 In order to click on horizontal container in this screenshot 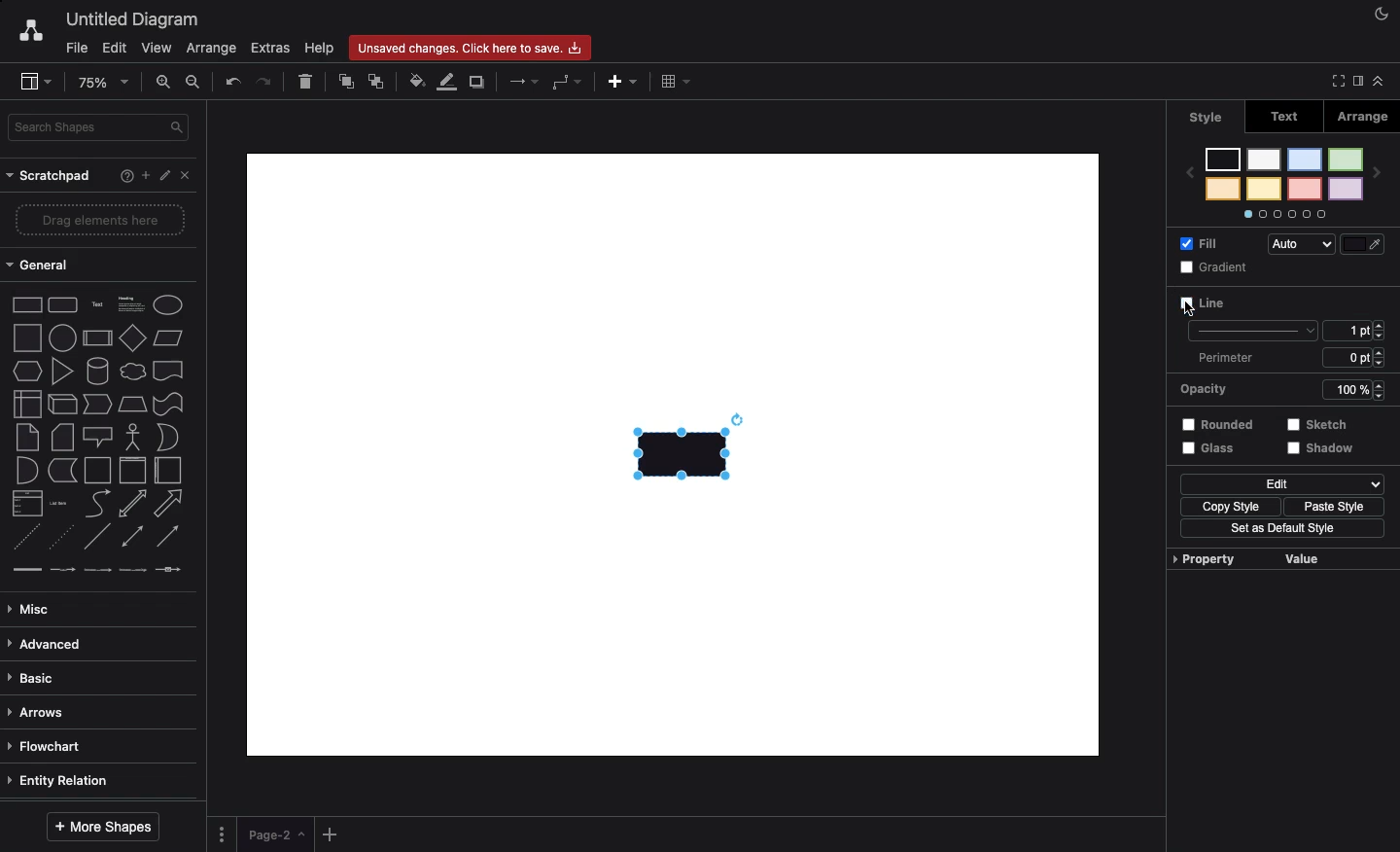, I will do `click(172, 471)`.